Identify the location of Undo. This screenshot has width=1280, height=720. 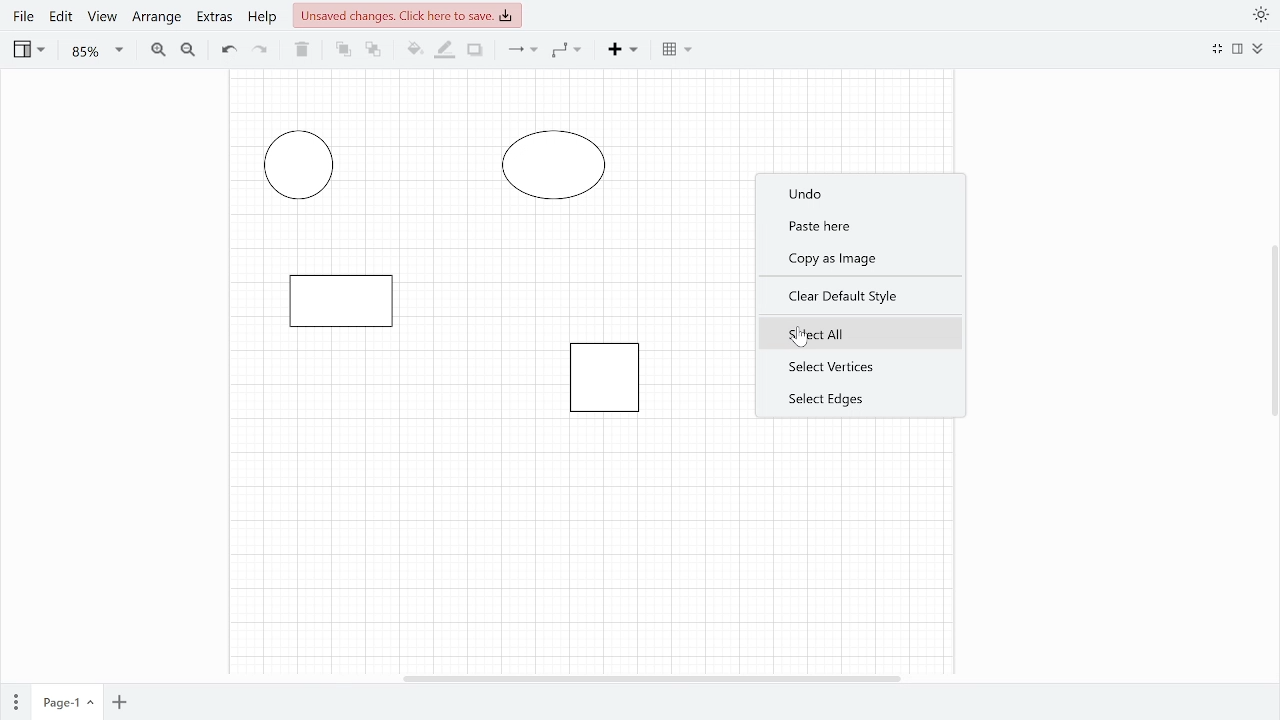
(226, 50).